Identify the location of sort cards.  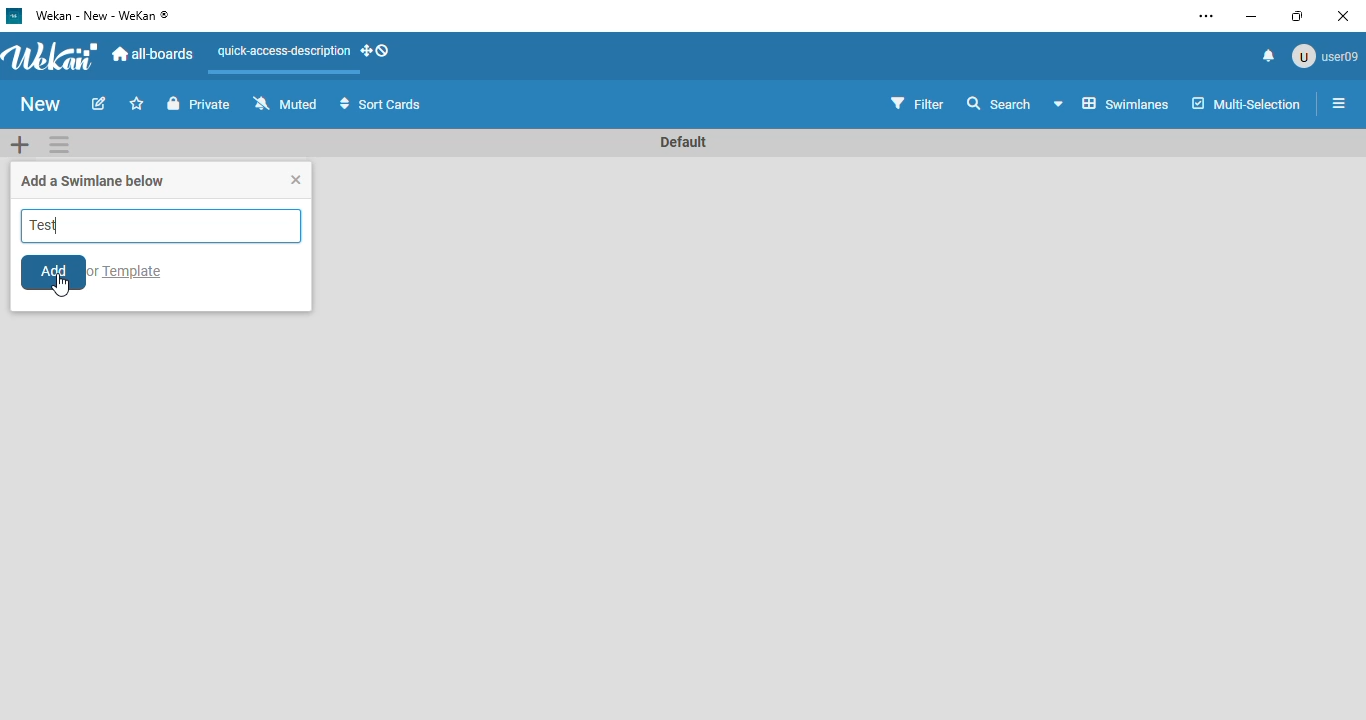
(380, 103).